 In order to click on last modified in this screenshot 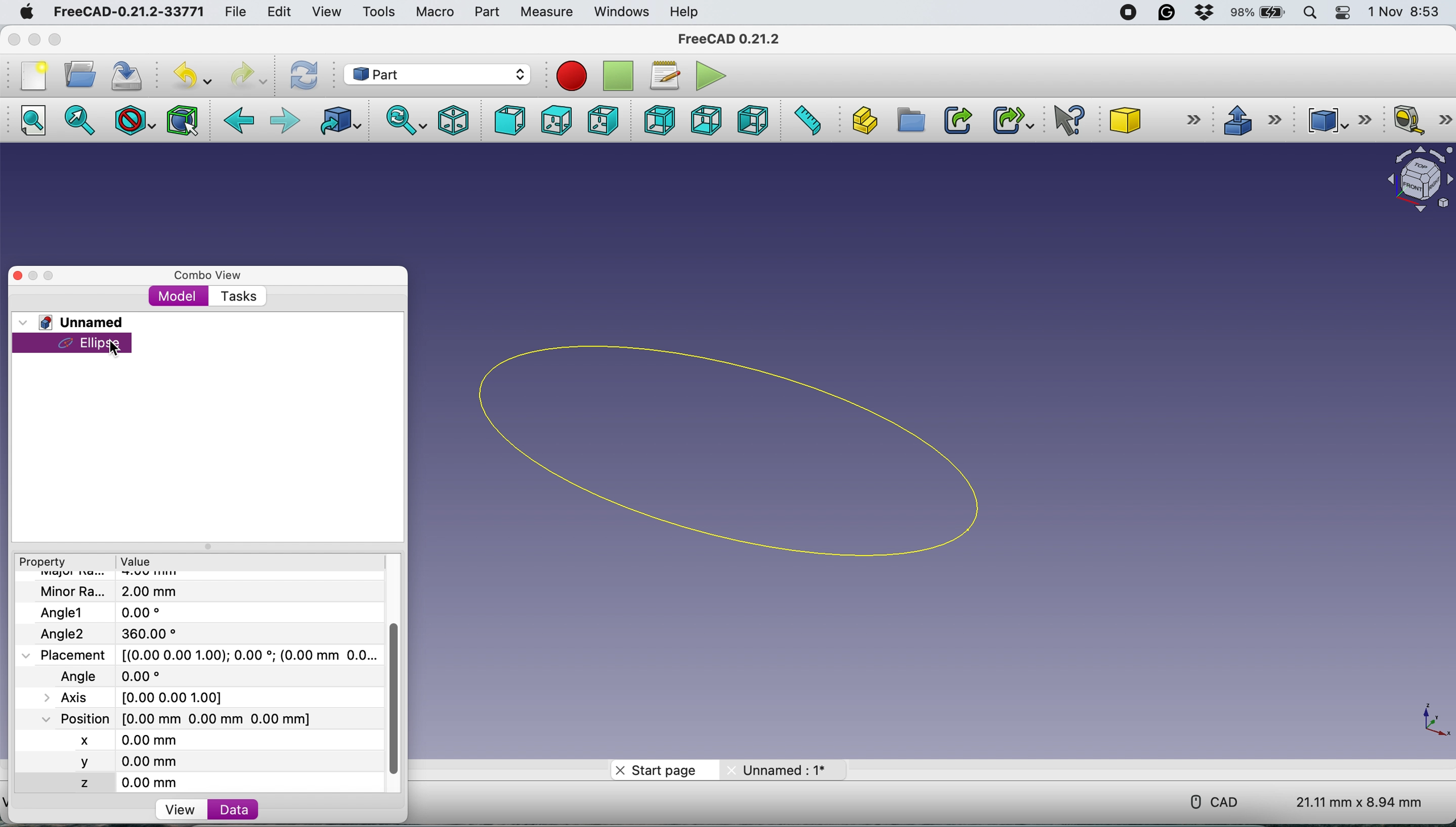, I will do `click(128, 675)`.